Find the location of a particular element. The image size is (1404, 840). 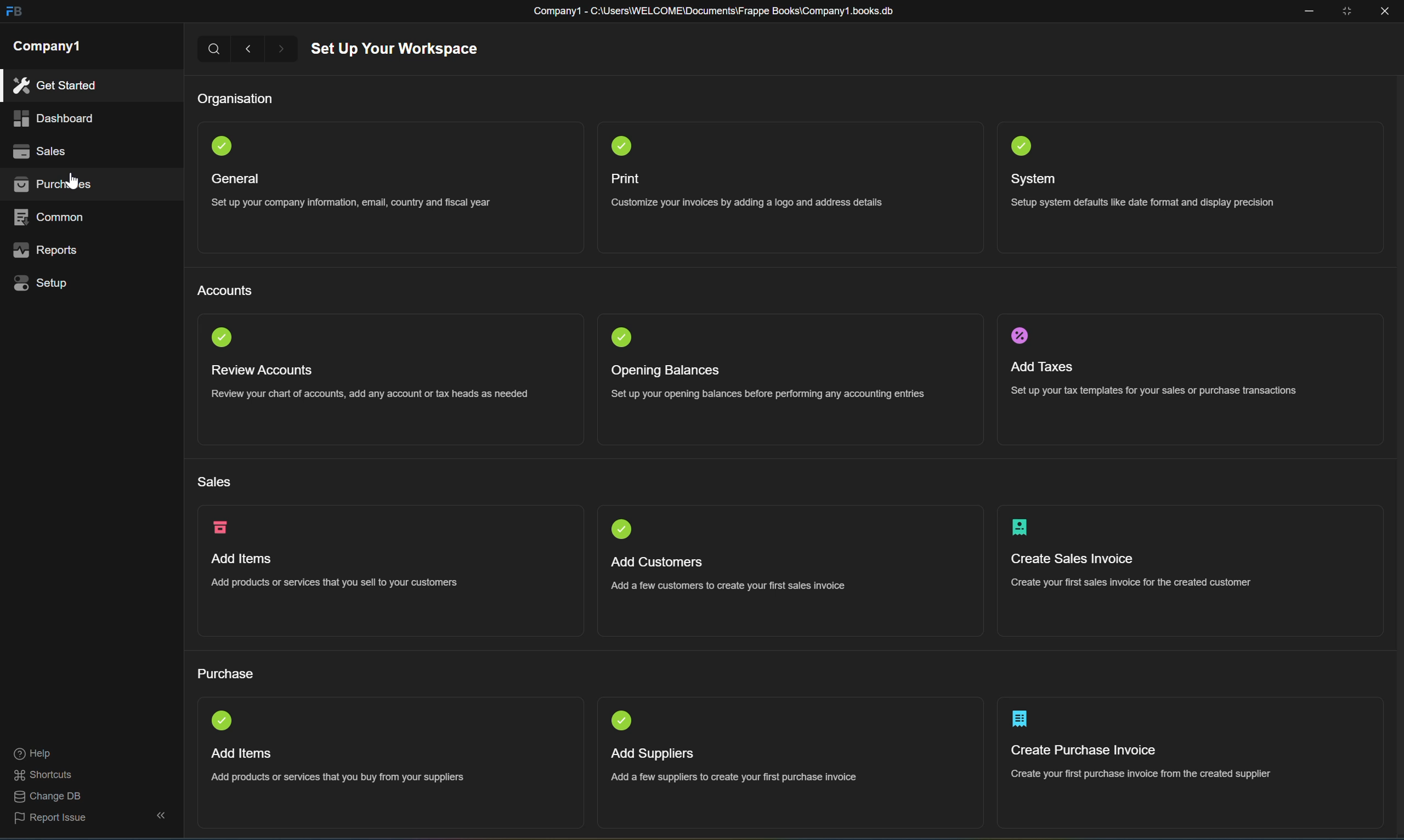

purchase is located at coordinates (228, 676).